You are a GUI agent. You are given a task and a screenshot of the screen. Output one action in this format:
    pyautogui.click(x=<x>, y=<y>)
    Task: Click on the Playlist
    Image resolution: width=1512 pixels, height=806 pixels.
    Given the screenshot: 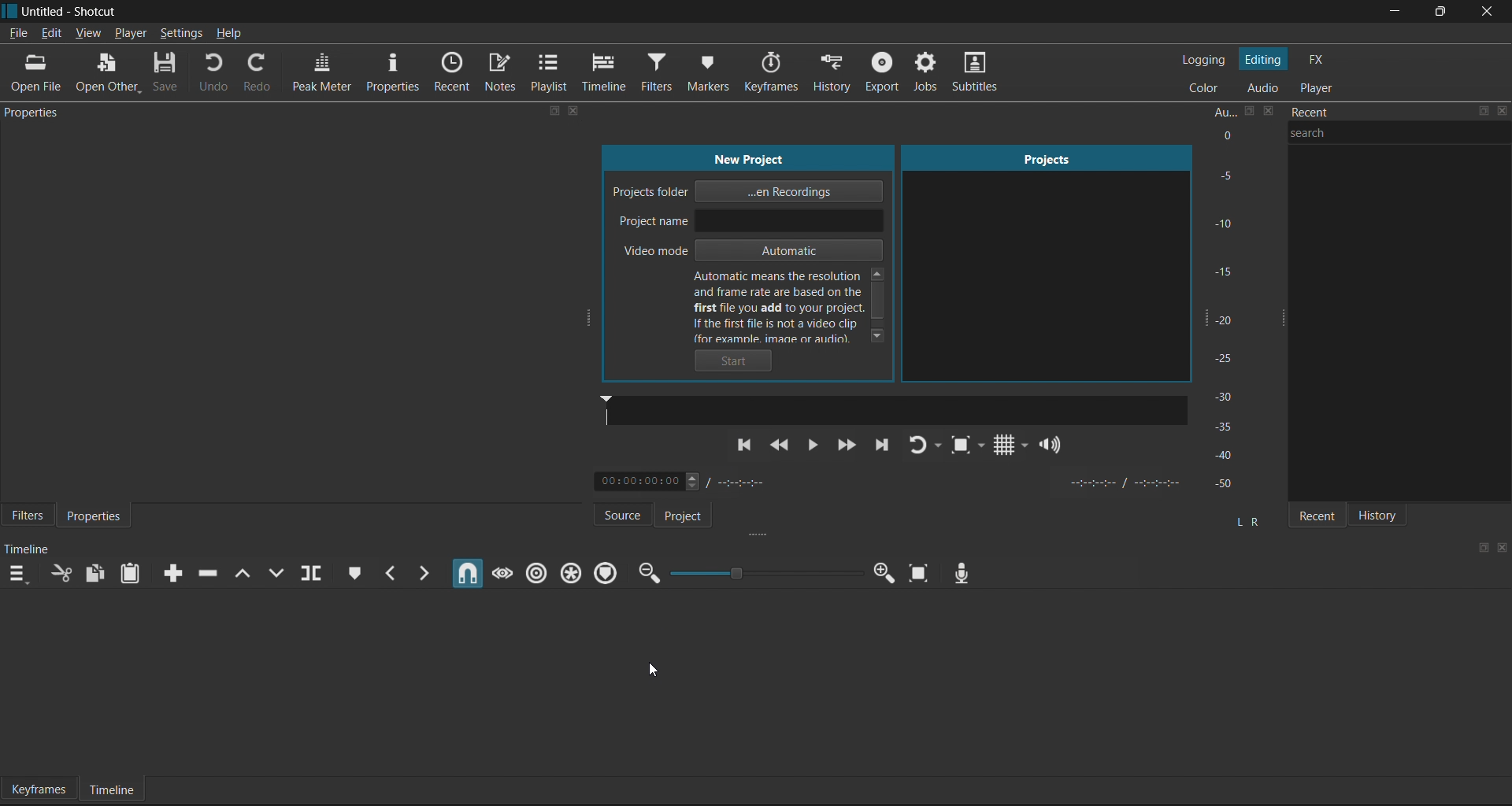 What is the action you would take?
    pyautogui.click(x=551, y=74)
    